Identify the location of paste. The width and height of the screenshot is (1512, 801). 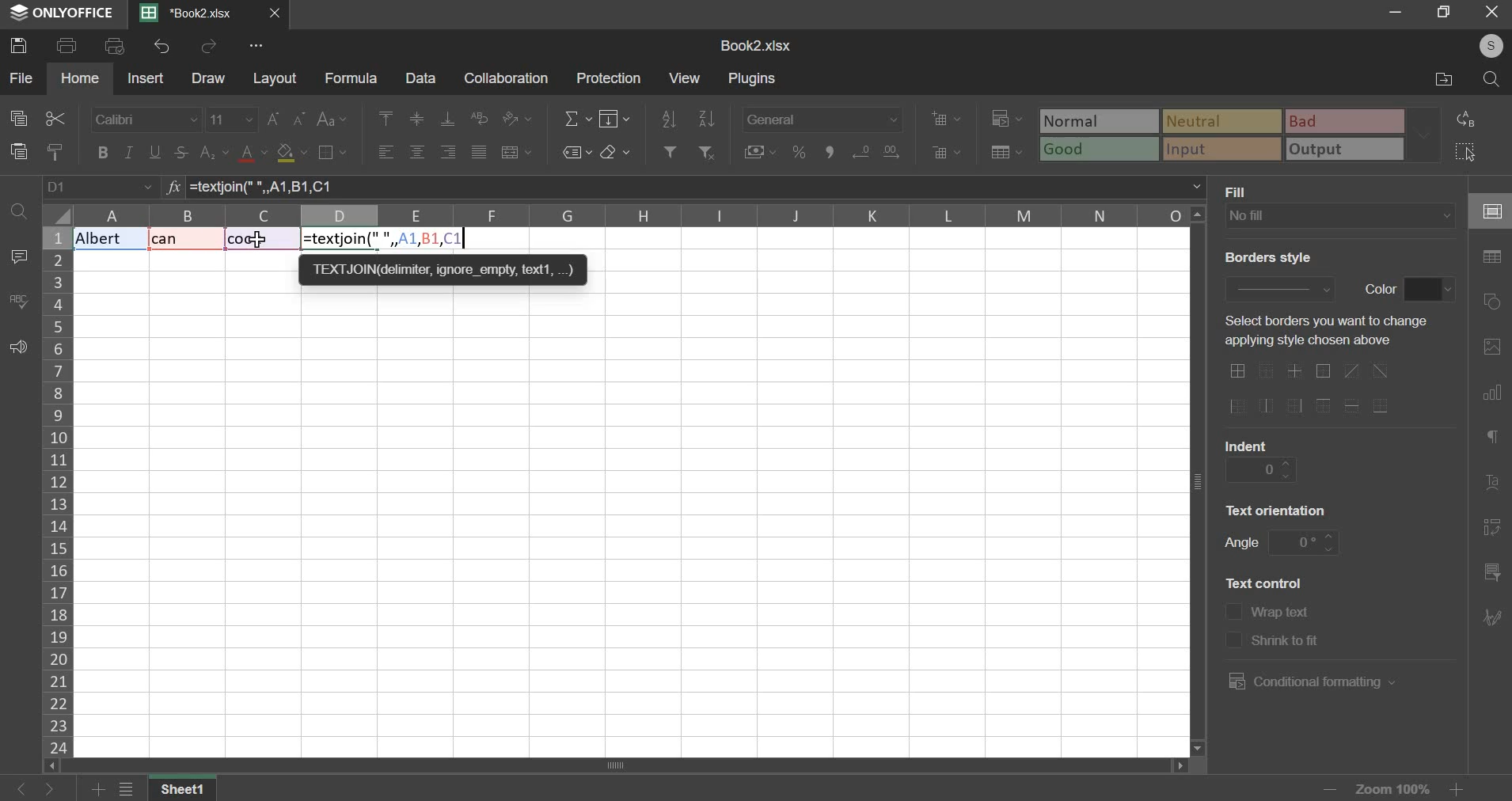
(19, 151).